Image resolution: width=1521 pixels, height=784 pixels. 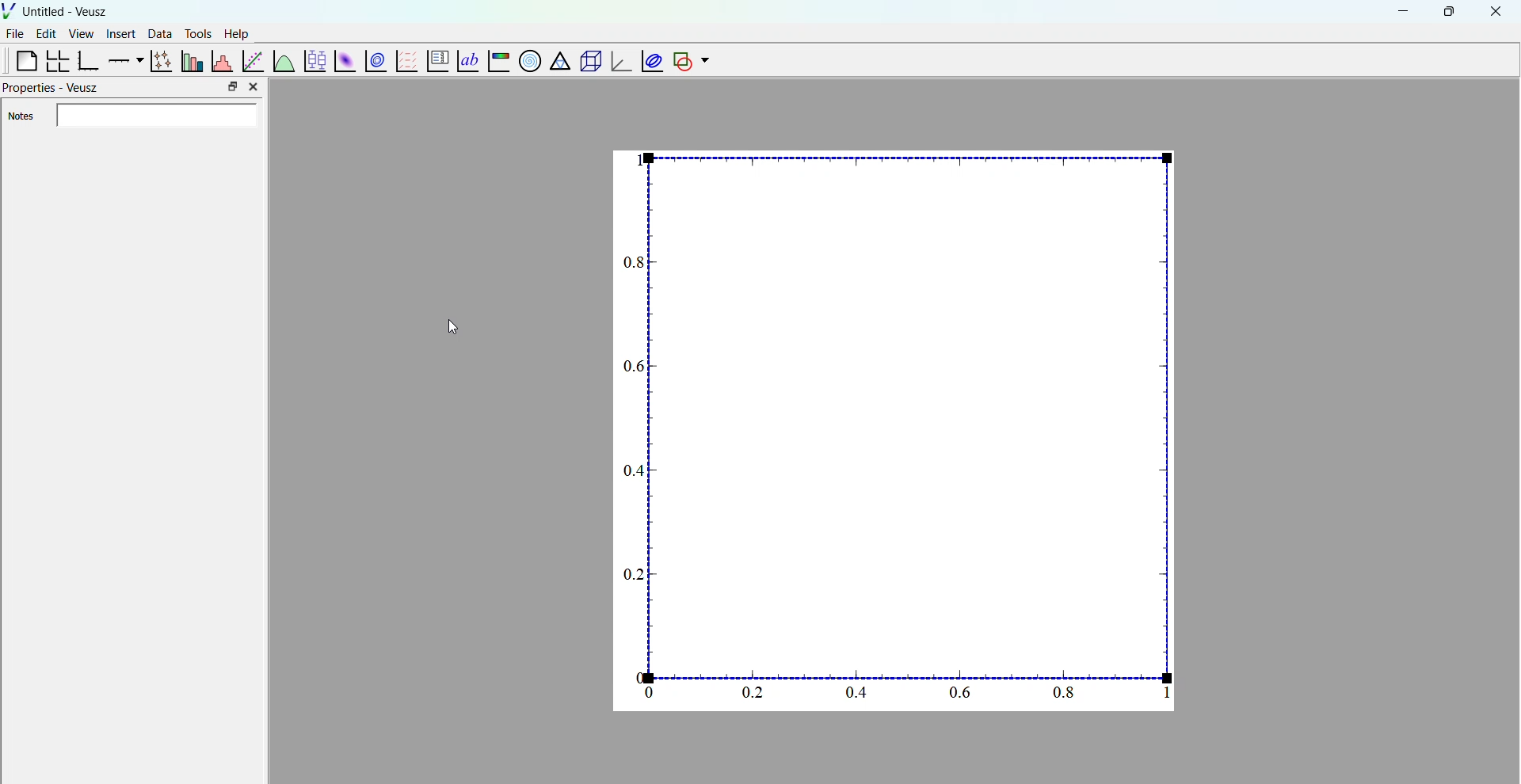 I want to click on logo of Veusz, so click(x=10, y=10).